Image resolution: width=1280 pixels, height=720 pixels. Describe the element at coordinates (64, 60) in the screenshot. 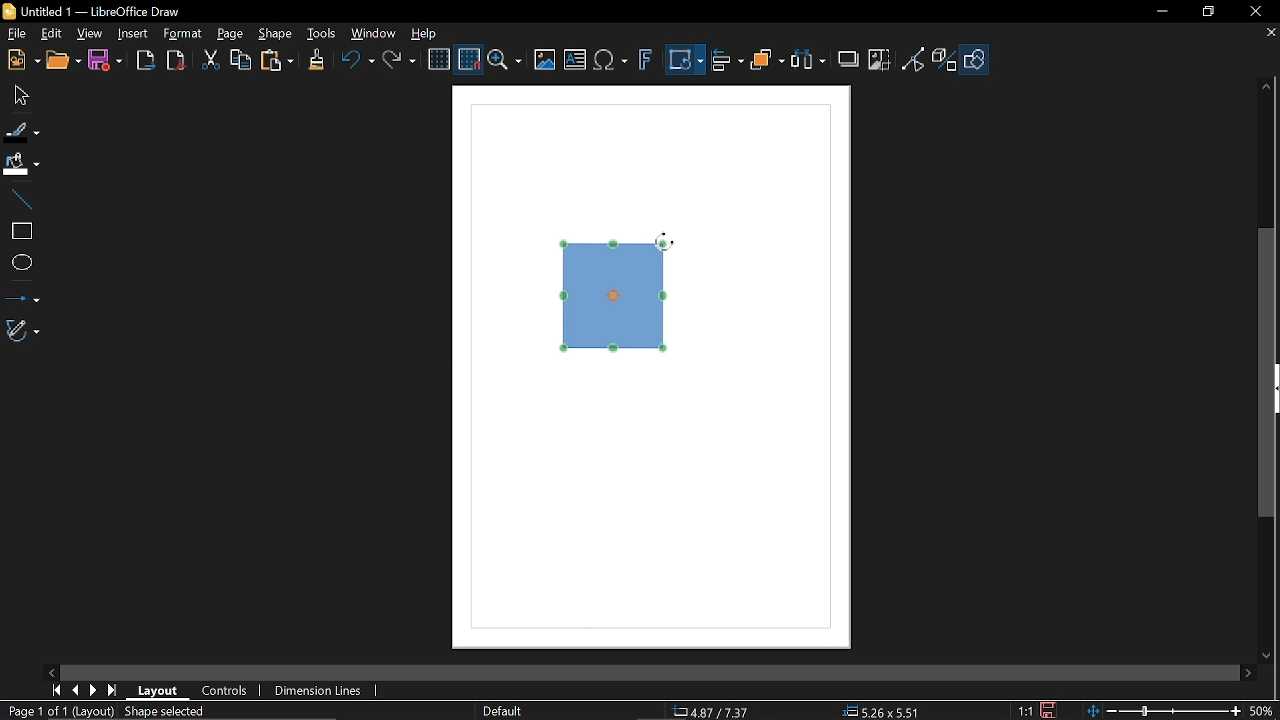

I see `Open` at that location.